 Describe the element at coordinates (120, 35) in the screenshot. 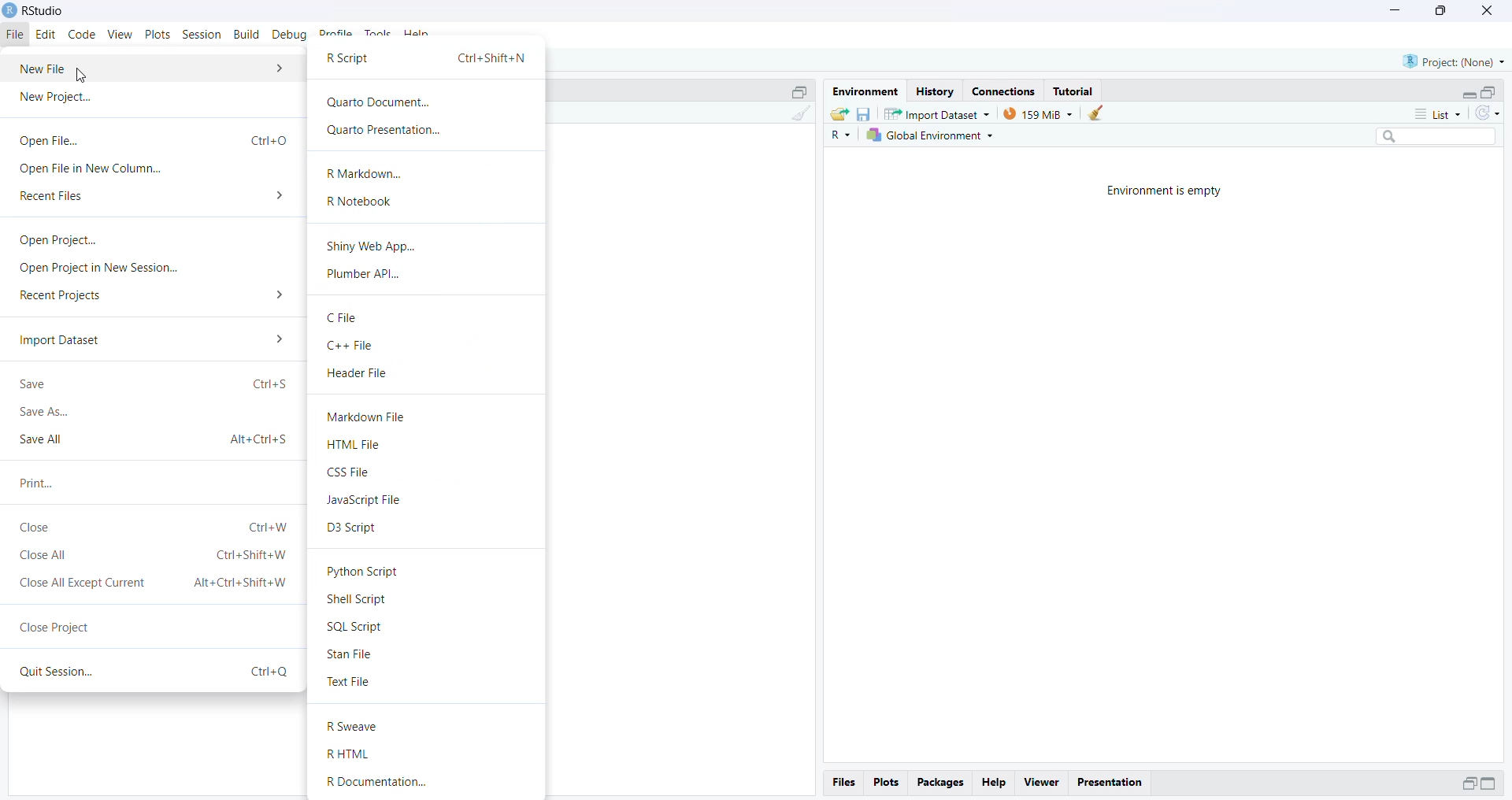

I see `view` at that location.